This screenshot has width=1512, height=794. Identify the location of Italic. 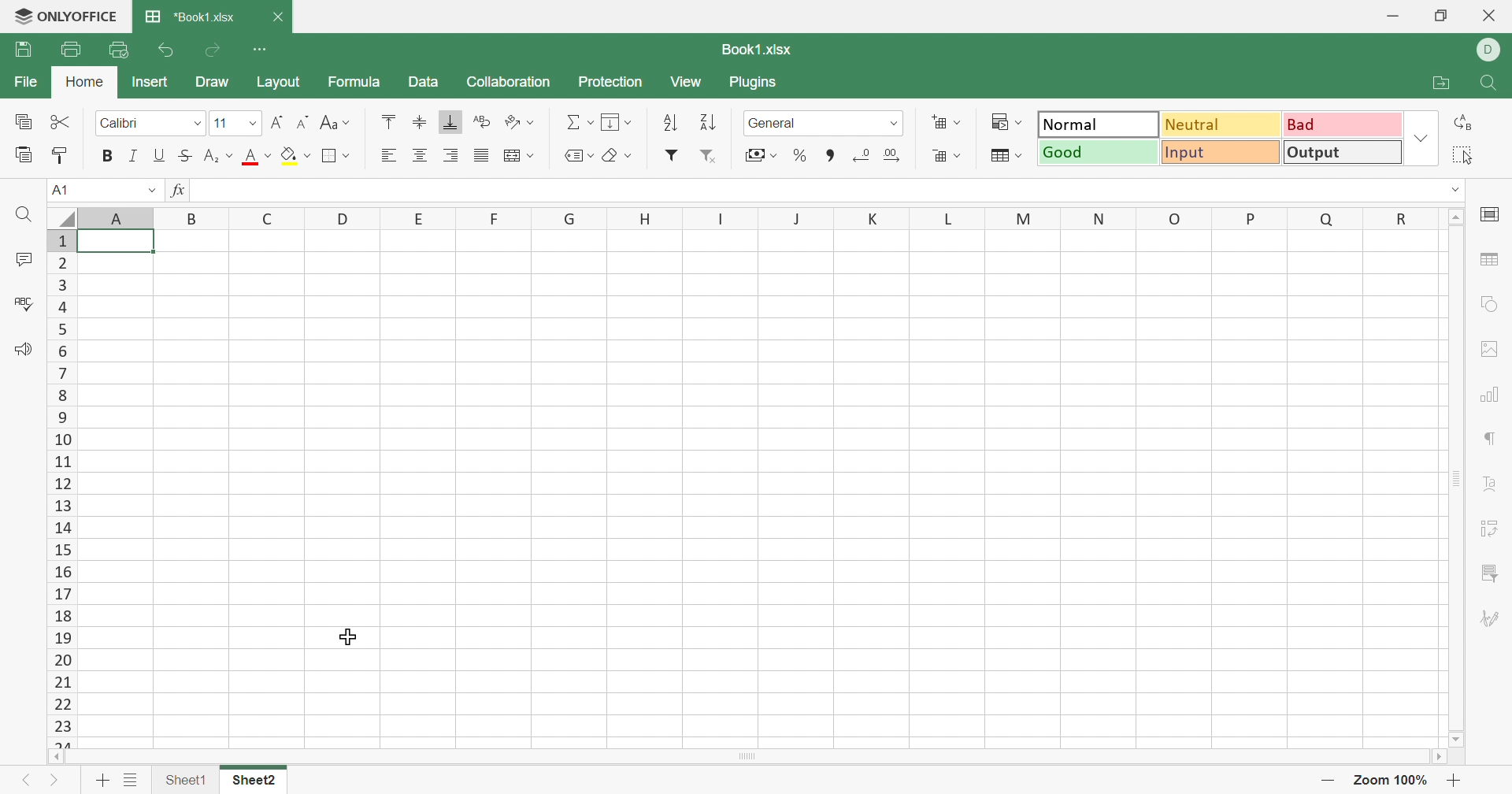
(133, 154).